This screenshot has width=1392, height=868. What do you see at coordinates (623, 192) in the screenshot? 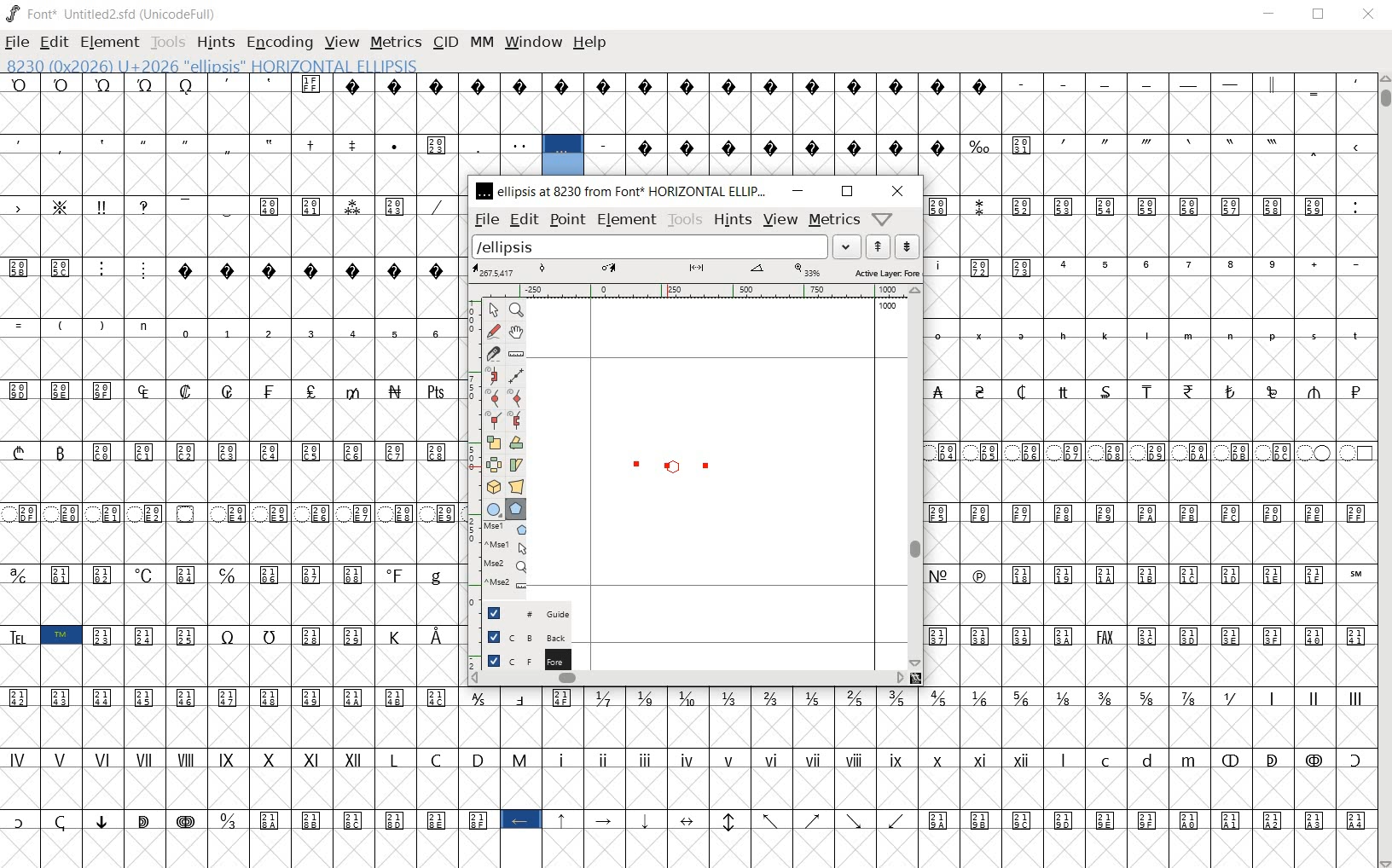
I see `ellipsis at 8230 from FONT HORIZONTAL ELLIPSIS` at bounding box center [623, 192].